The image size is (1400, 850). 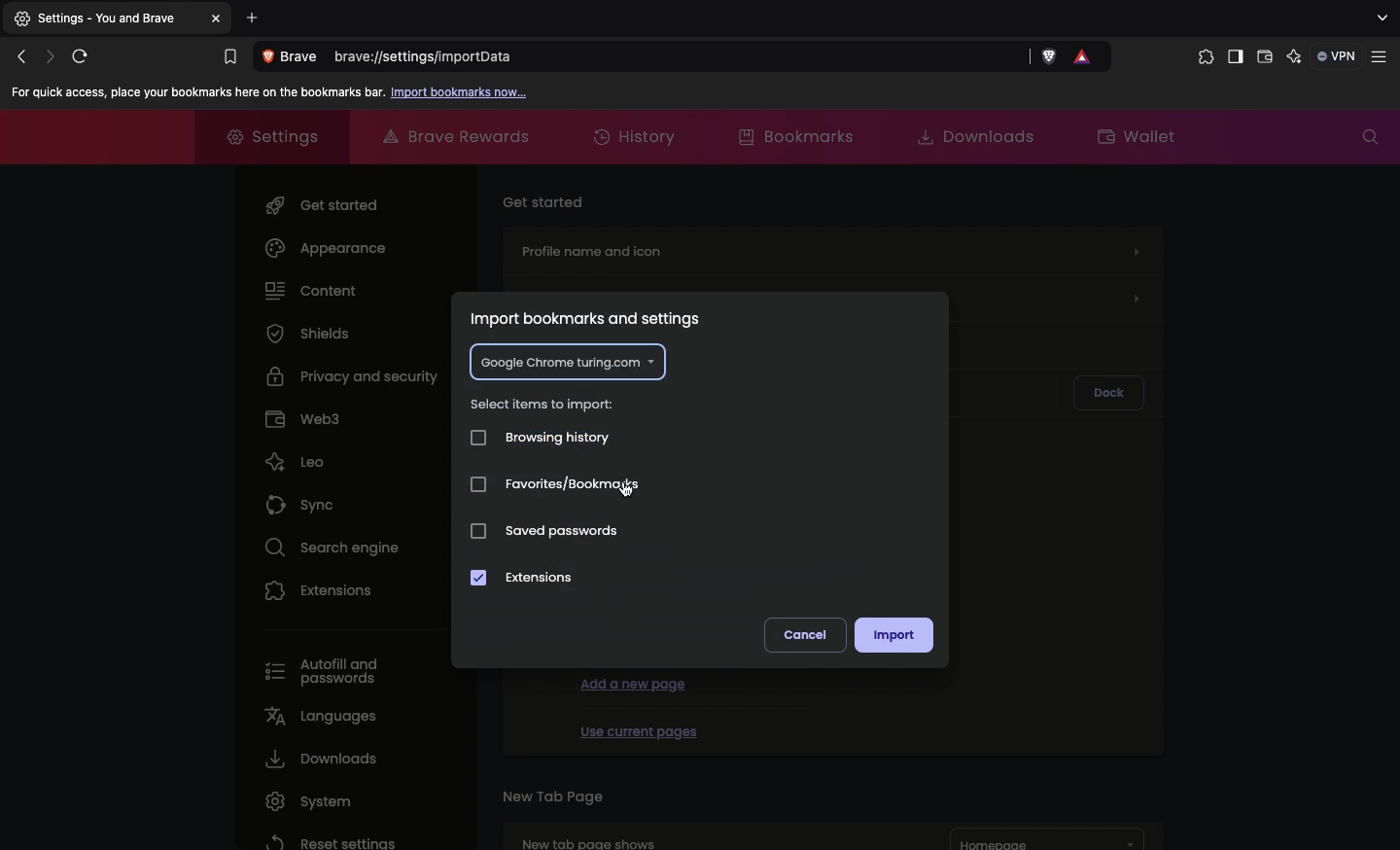 I want to click on cursor, so click(x=626, y=490).